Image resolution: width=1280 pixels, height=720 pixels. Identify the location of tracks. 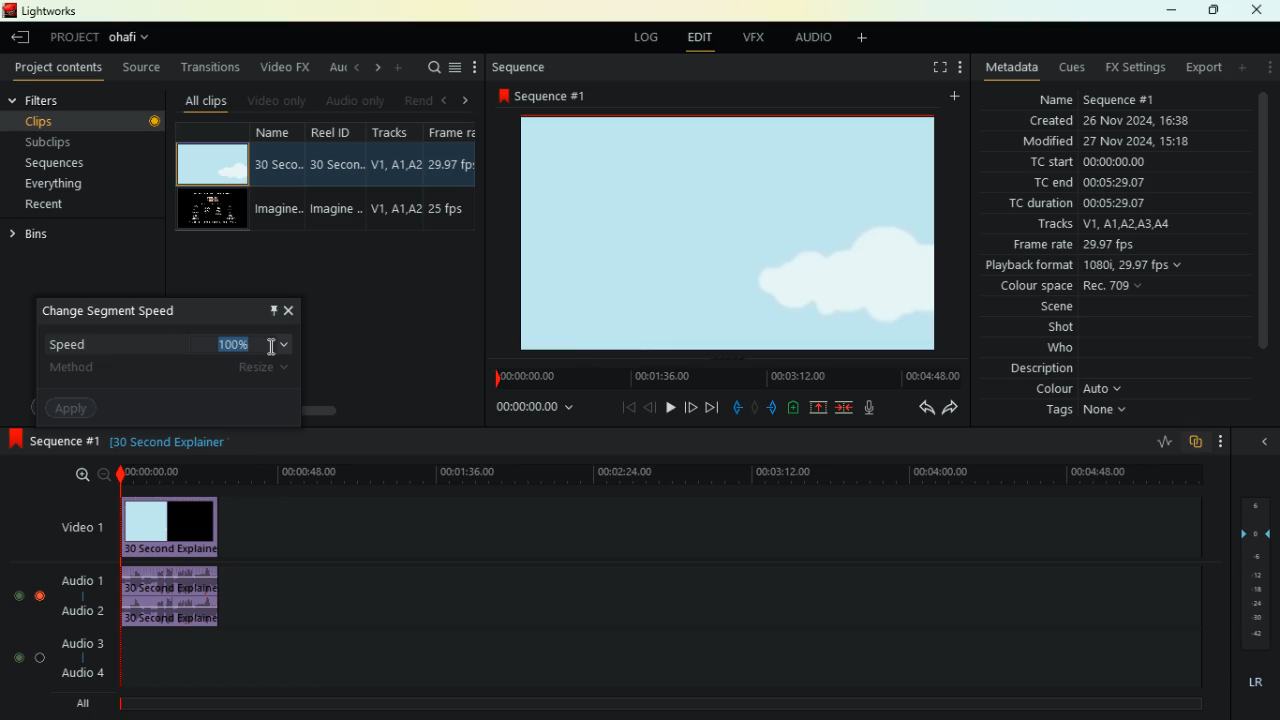
(1098, 226).